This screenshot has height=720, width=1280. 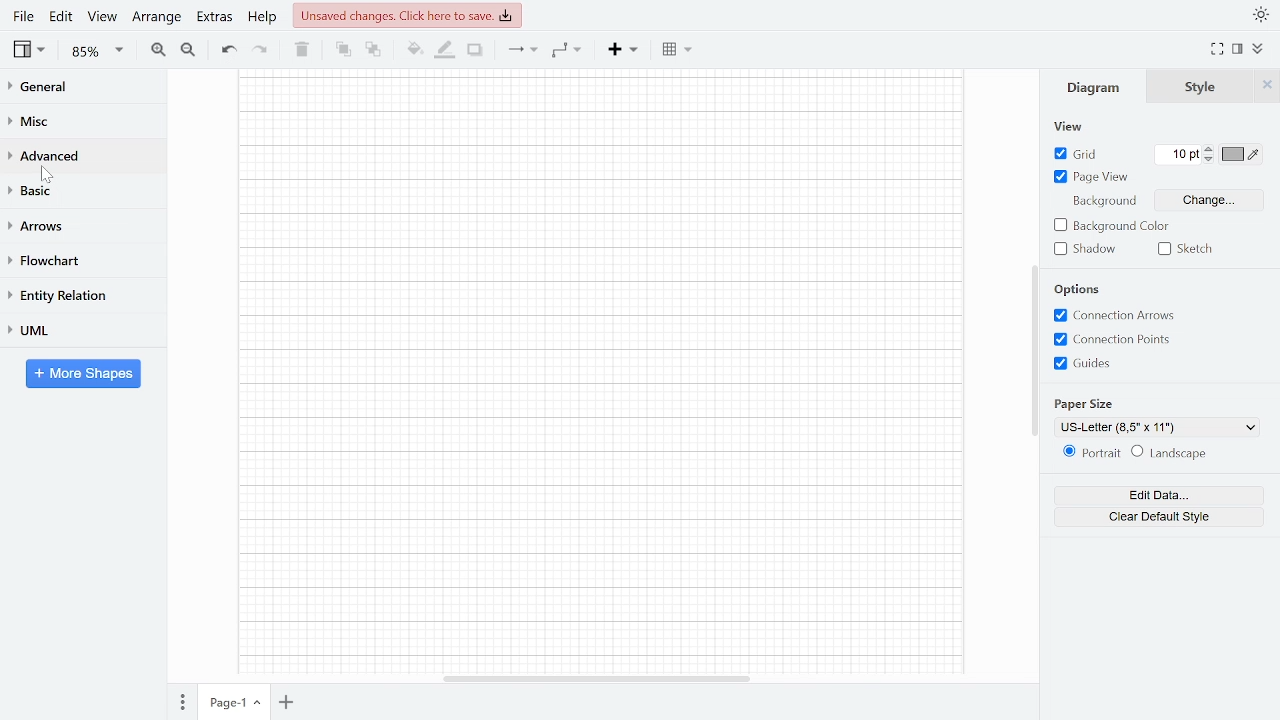 What do you see at coordinates (227, 52) in the screenshot?
I see `Undo` at bounding box center [227, 52].